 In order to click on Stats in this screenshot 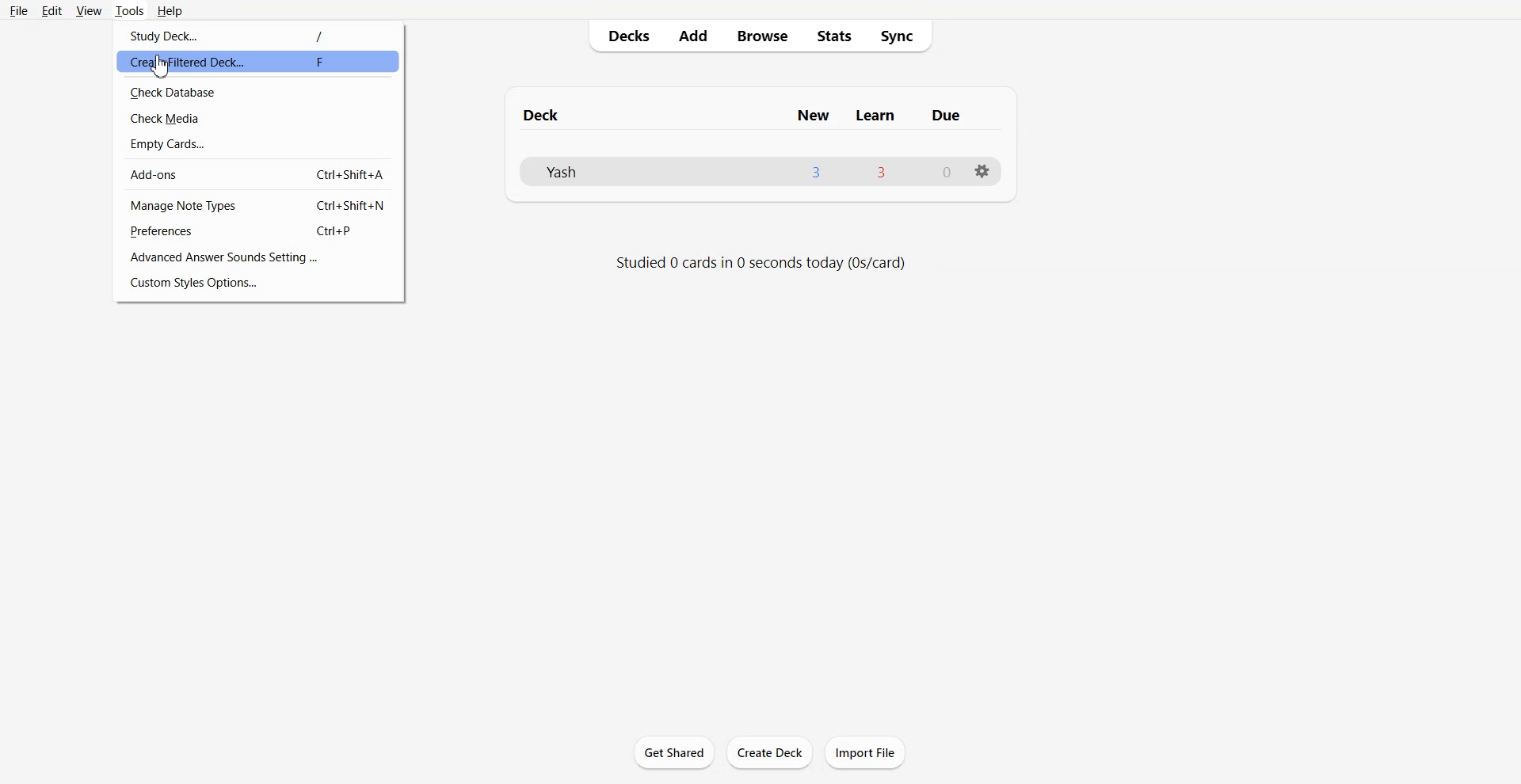, I will do `click(833, 36)`.